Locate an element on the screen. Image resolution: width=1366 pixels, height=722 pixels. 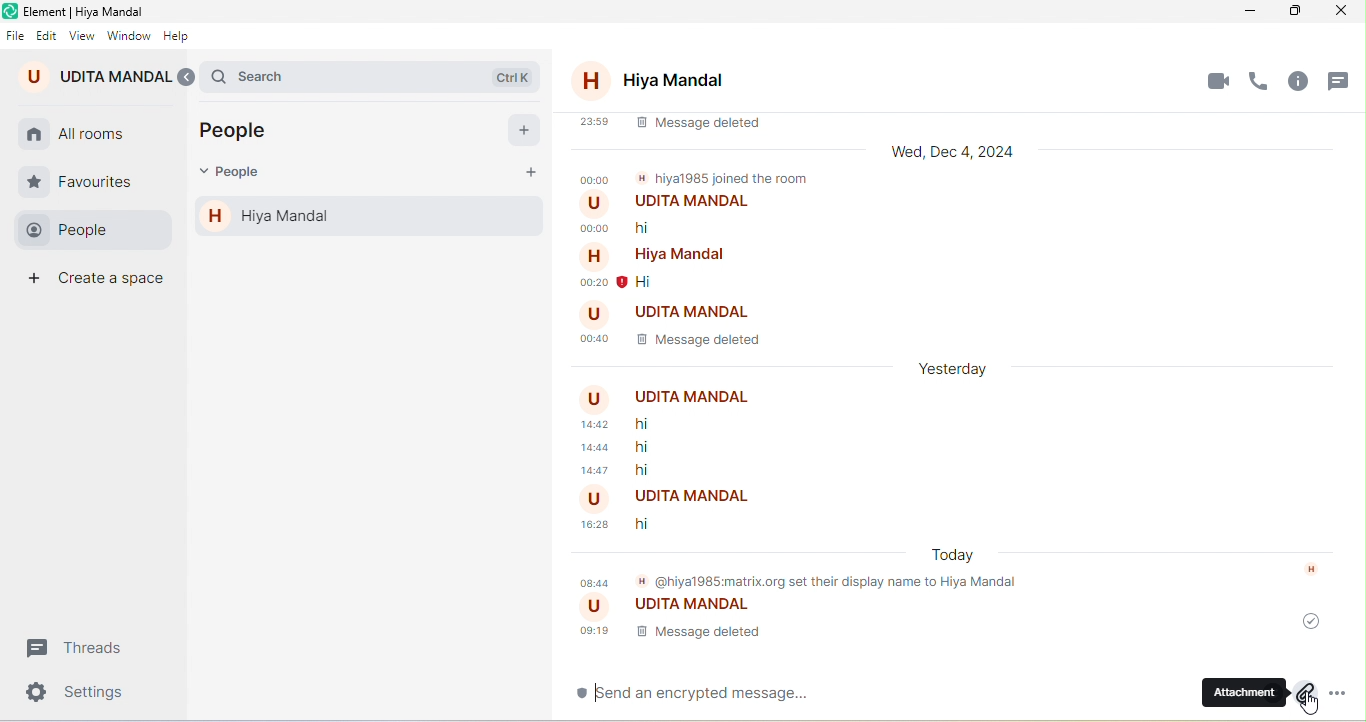
cursor movement is located at coordinates (1316, 707).